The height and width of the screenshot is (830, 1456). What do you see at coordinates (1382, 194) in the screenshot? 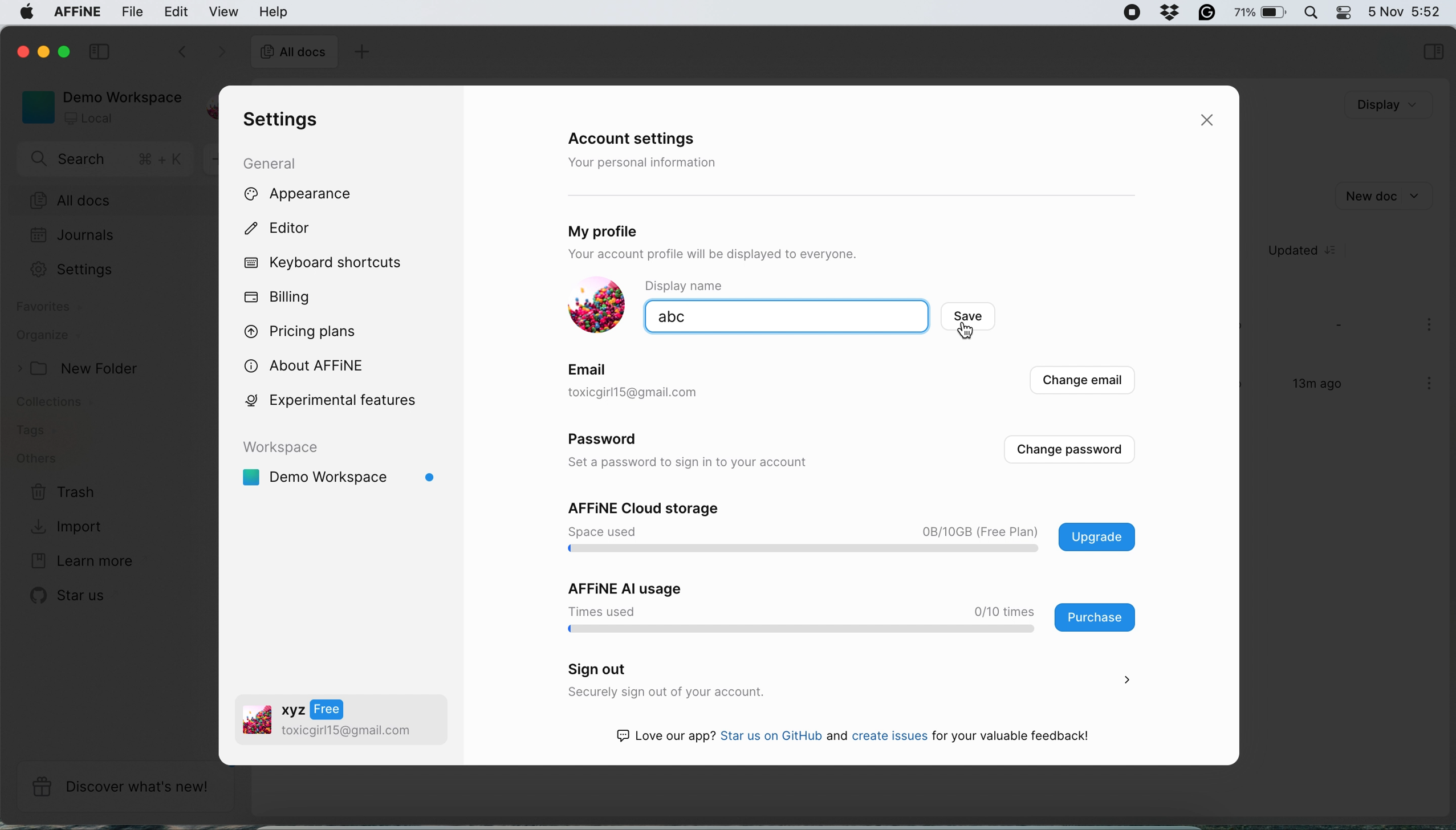
I see `new doc` at bounding box center [1382, 194].